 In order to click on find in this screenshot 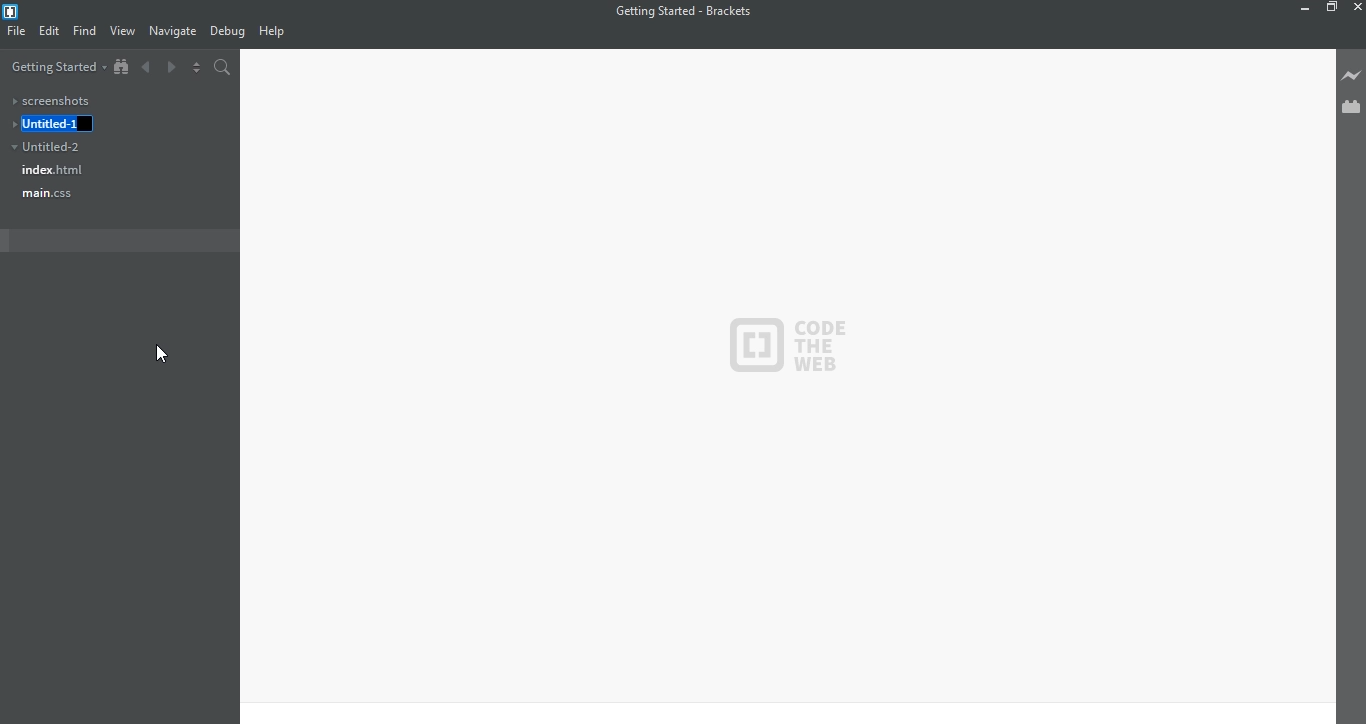, I will do `click(86, 30)`.